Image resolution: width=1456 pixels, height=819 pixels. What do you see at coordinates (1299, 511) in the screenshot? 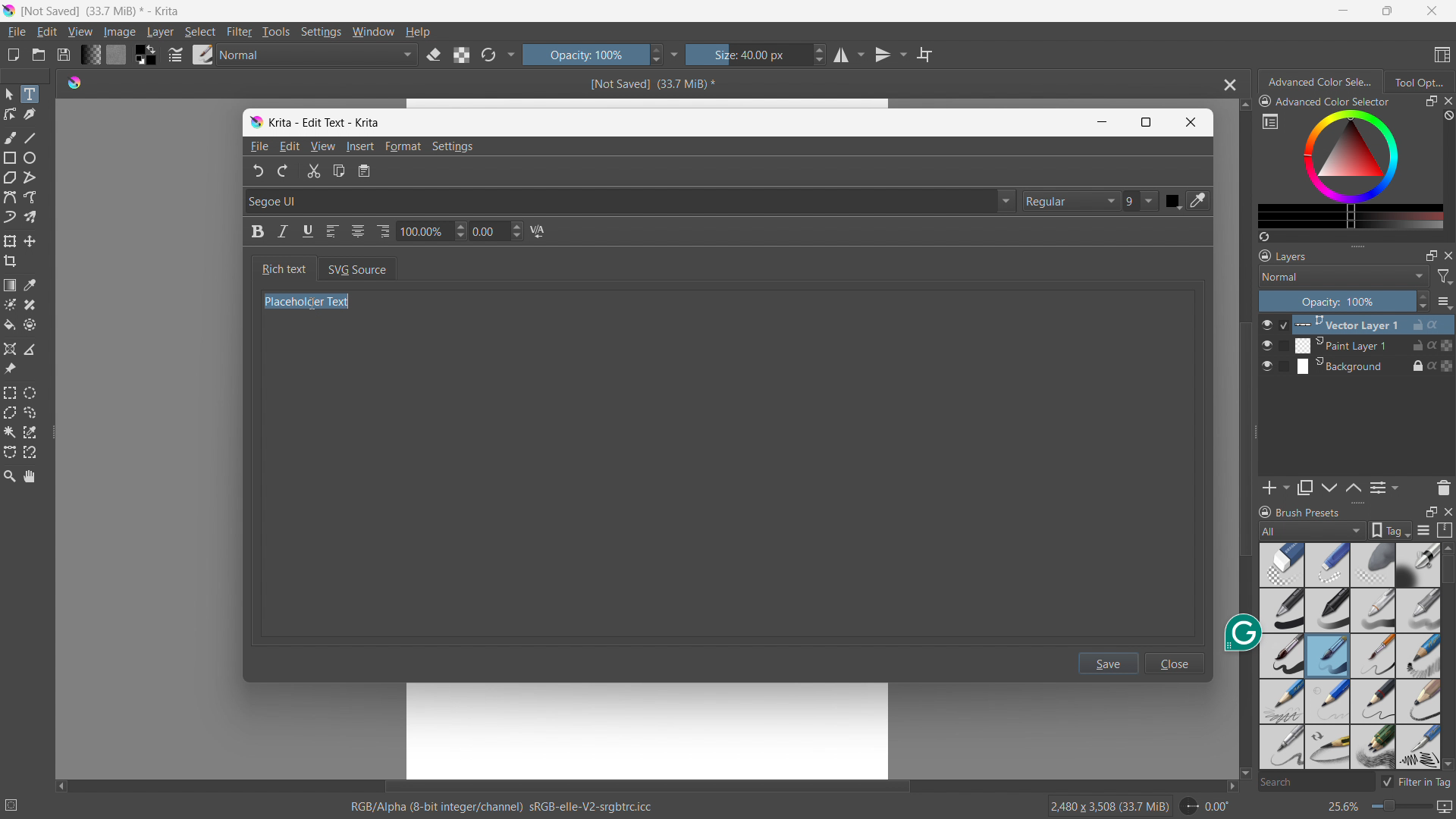
I see `brush presets` at bounding box center [1299, 511].